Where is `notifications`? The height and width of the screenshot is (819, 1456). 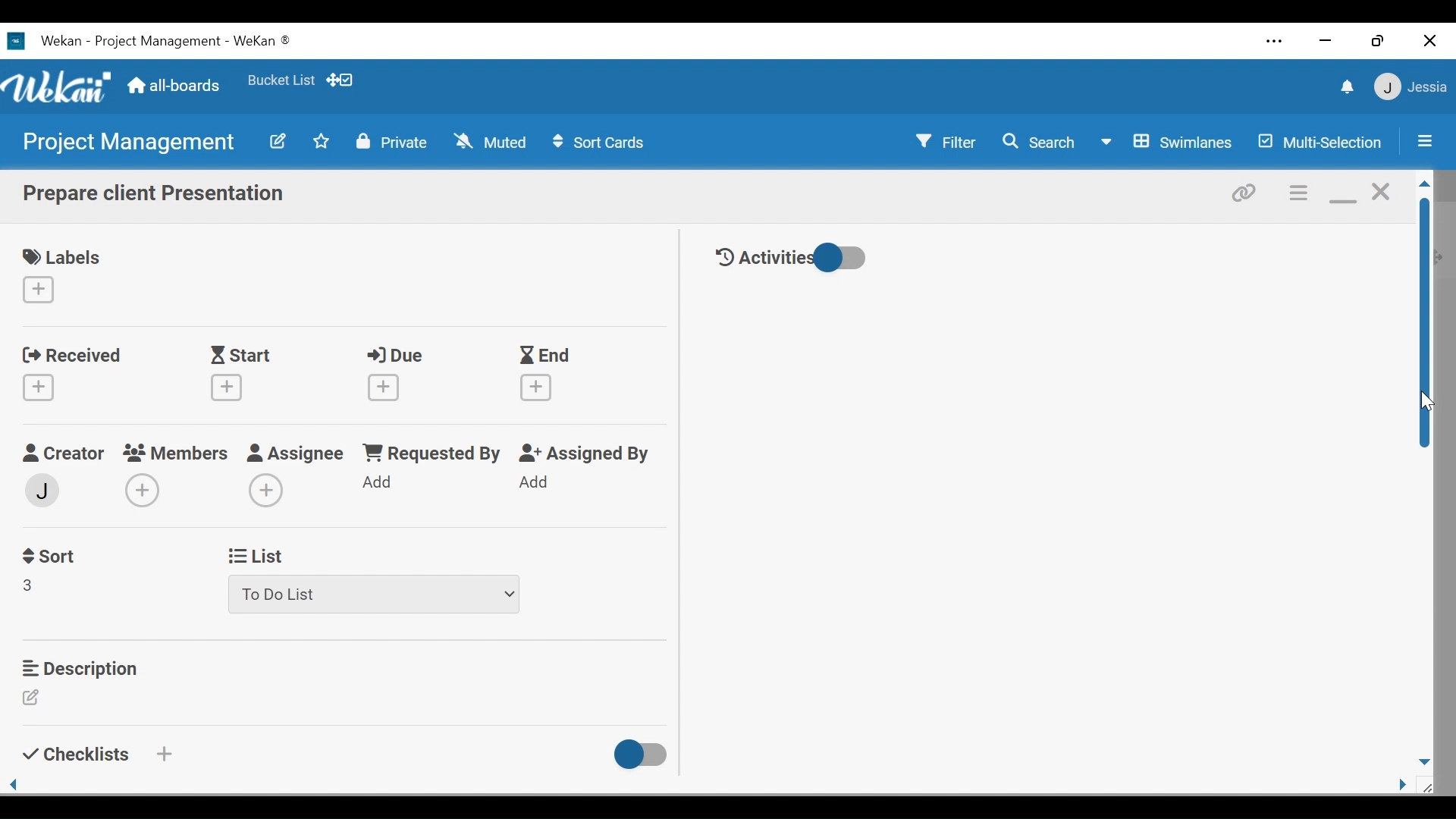 notifications is located at coordinates (1345, 86).